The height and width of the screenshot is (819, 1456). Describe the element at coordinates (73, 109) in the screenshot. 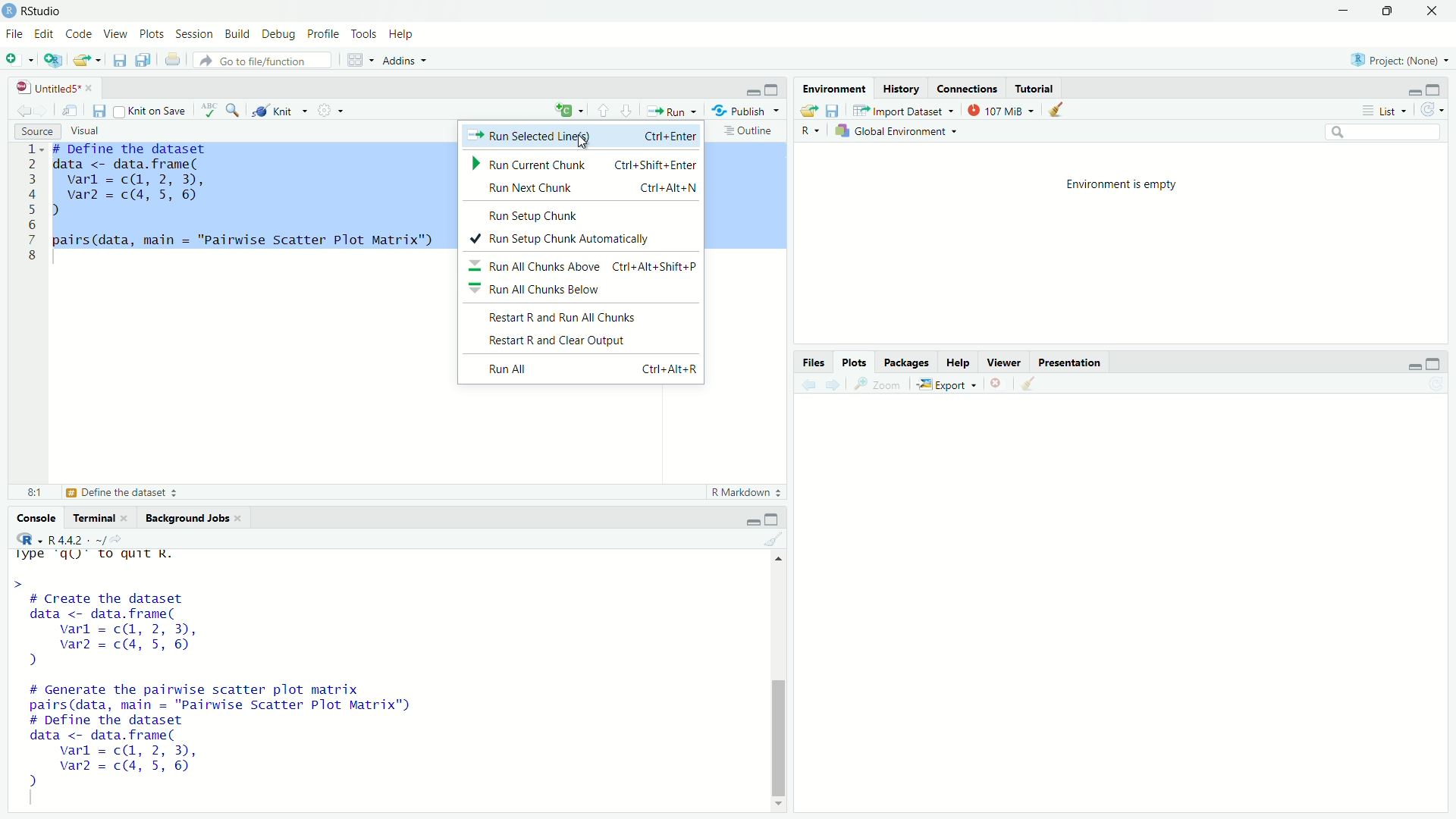

I see `Show in new window` at that location.